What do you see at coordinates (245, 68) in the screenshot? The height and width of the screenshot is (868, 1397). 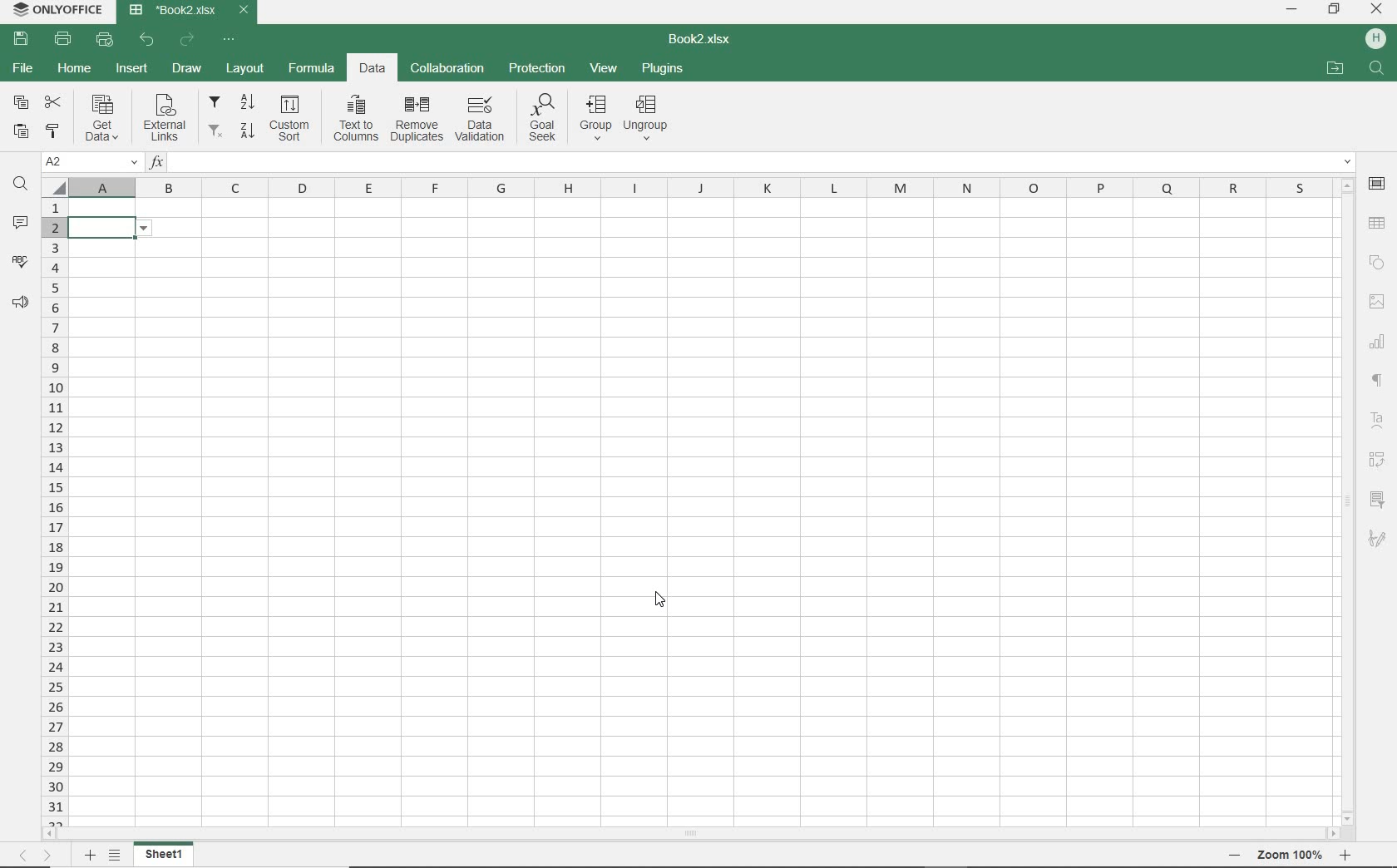 I see `LAYOUT` at bounding box center [245, 68].